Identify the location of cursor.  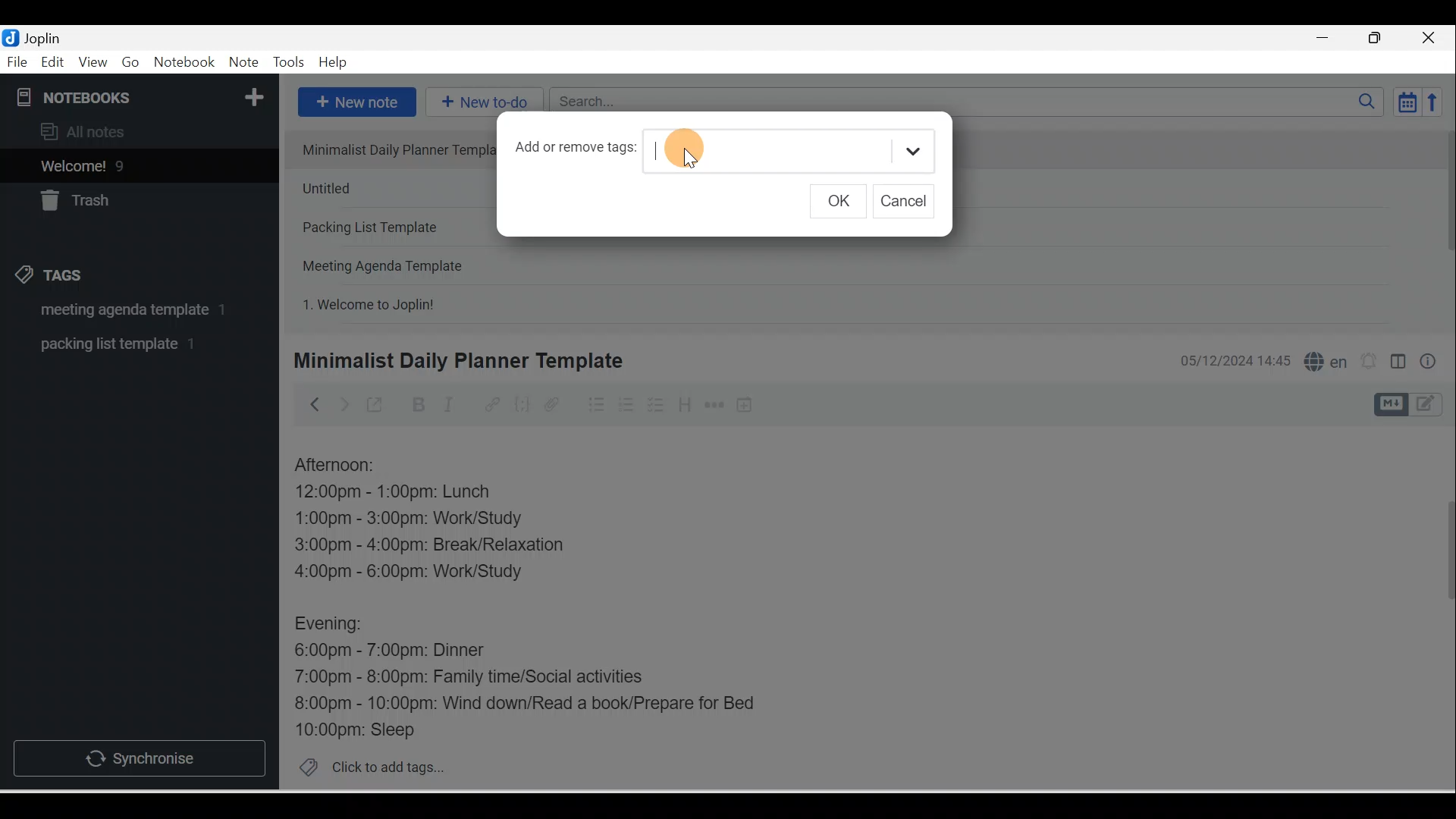
(683, 151).